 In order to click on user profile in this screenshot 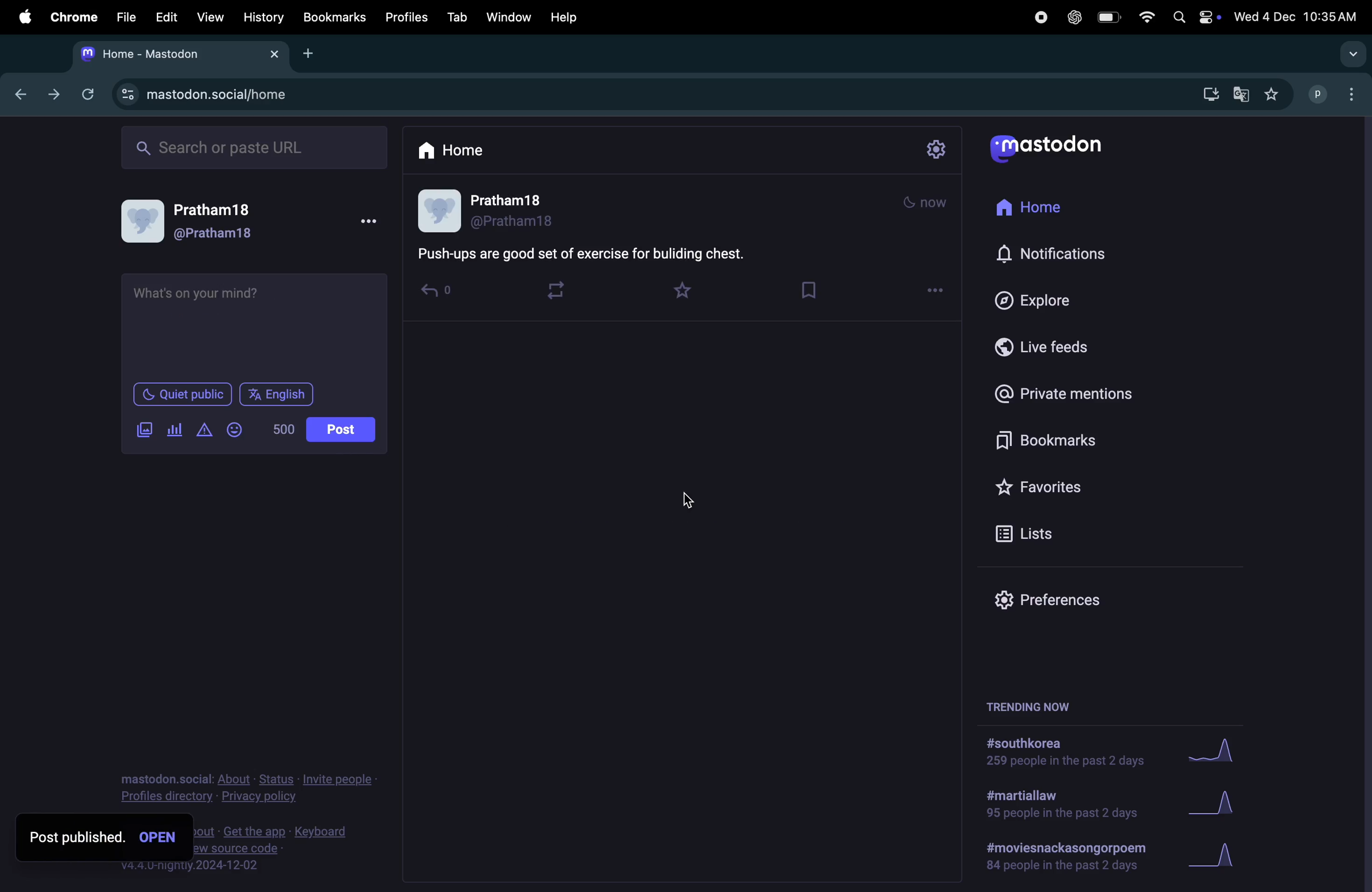, I will do `click(205, 221)`.